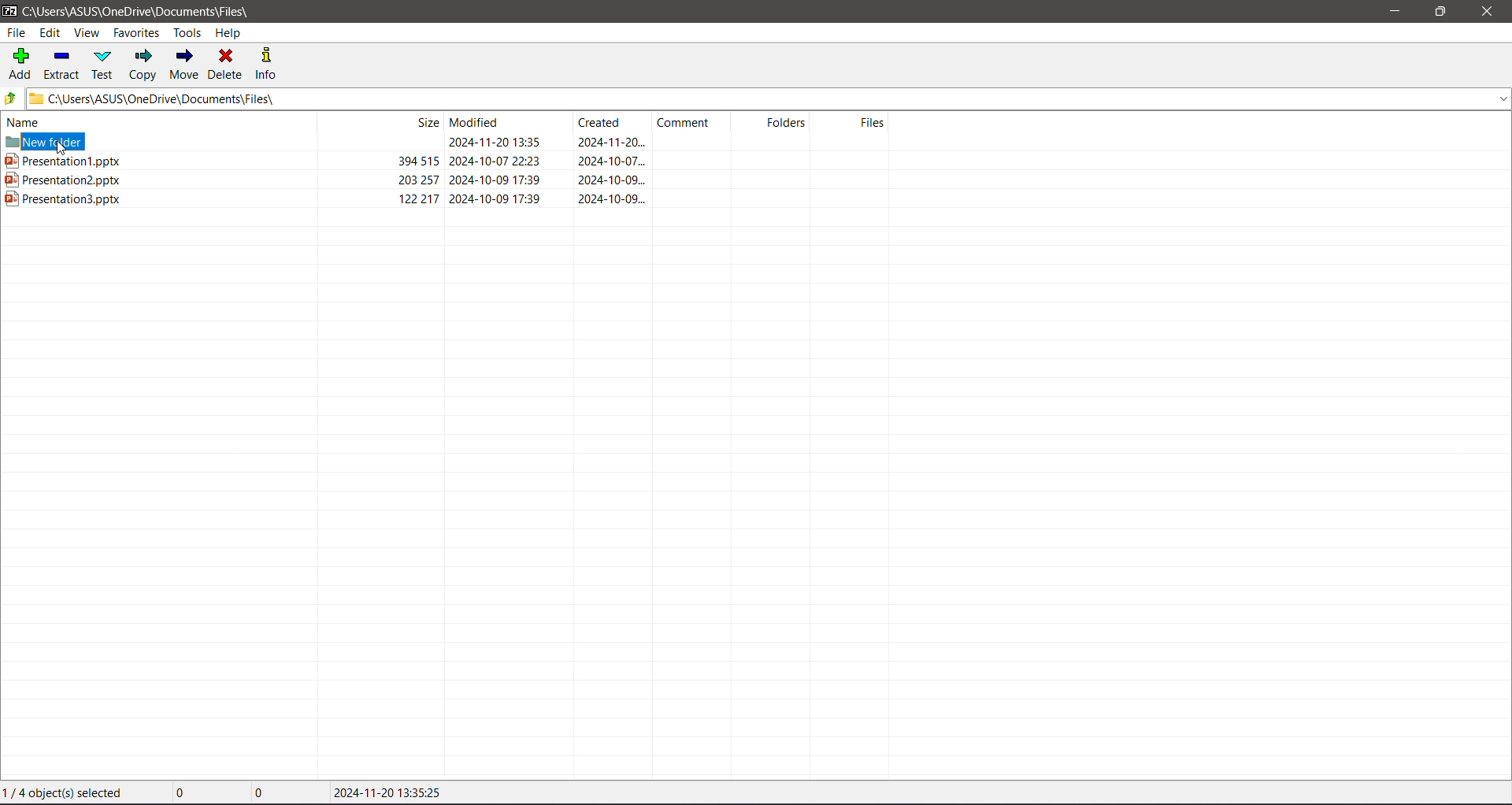  What do you see at coordinates (613, 124) in the screenshot?
I see `Created Date` at bounding box center [613, 124].